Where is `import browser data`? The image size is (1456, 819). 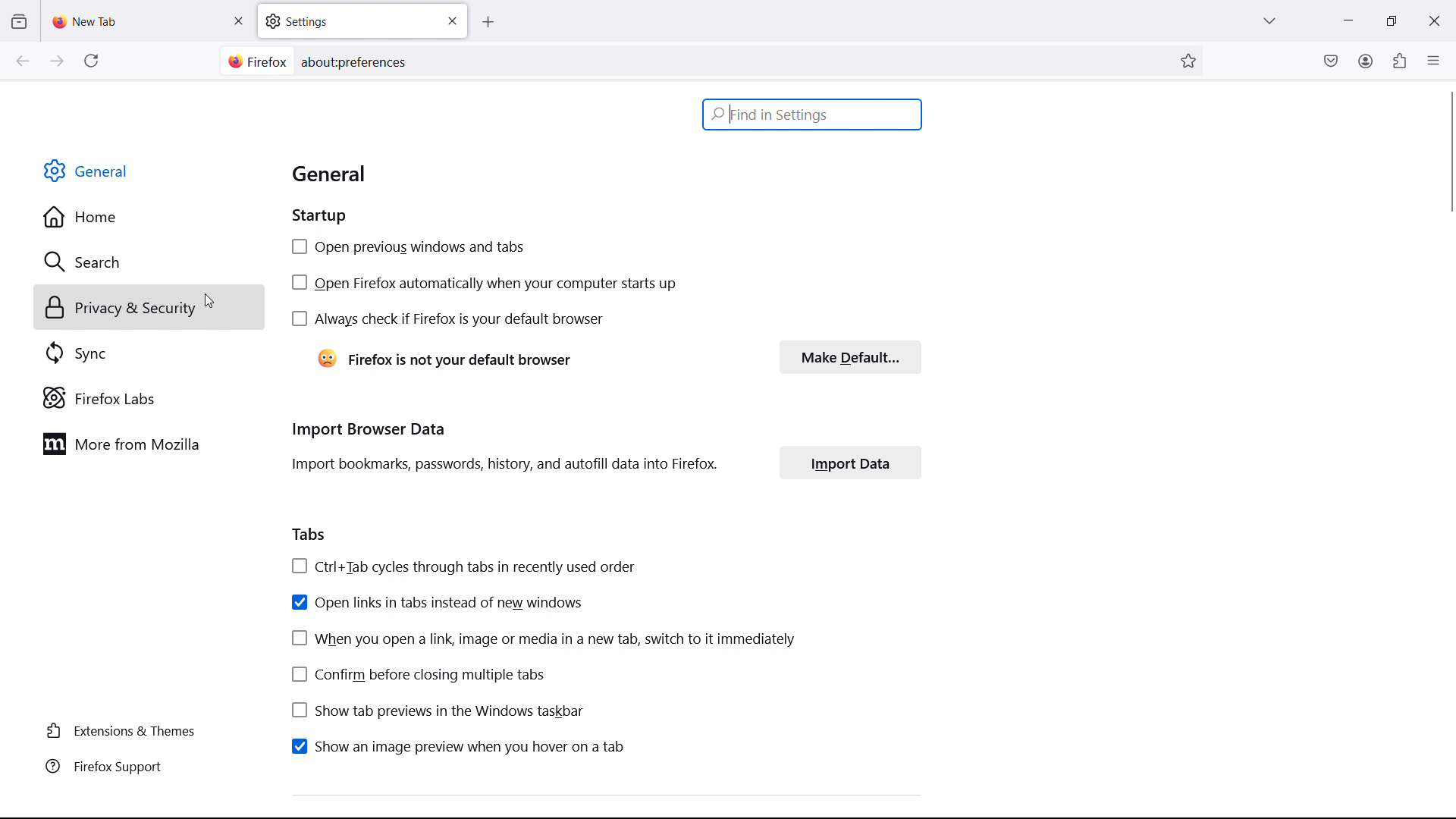 import browser data is located at coordinates (368, 428).